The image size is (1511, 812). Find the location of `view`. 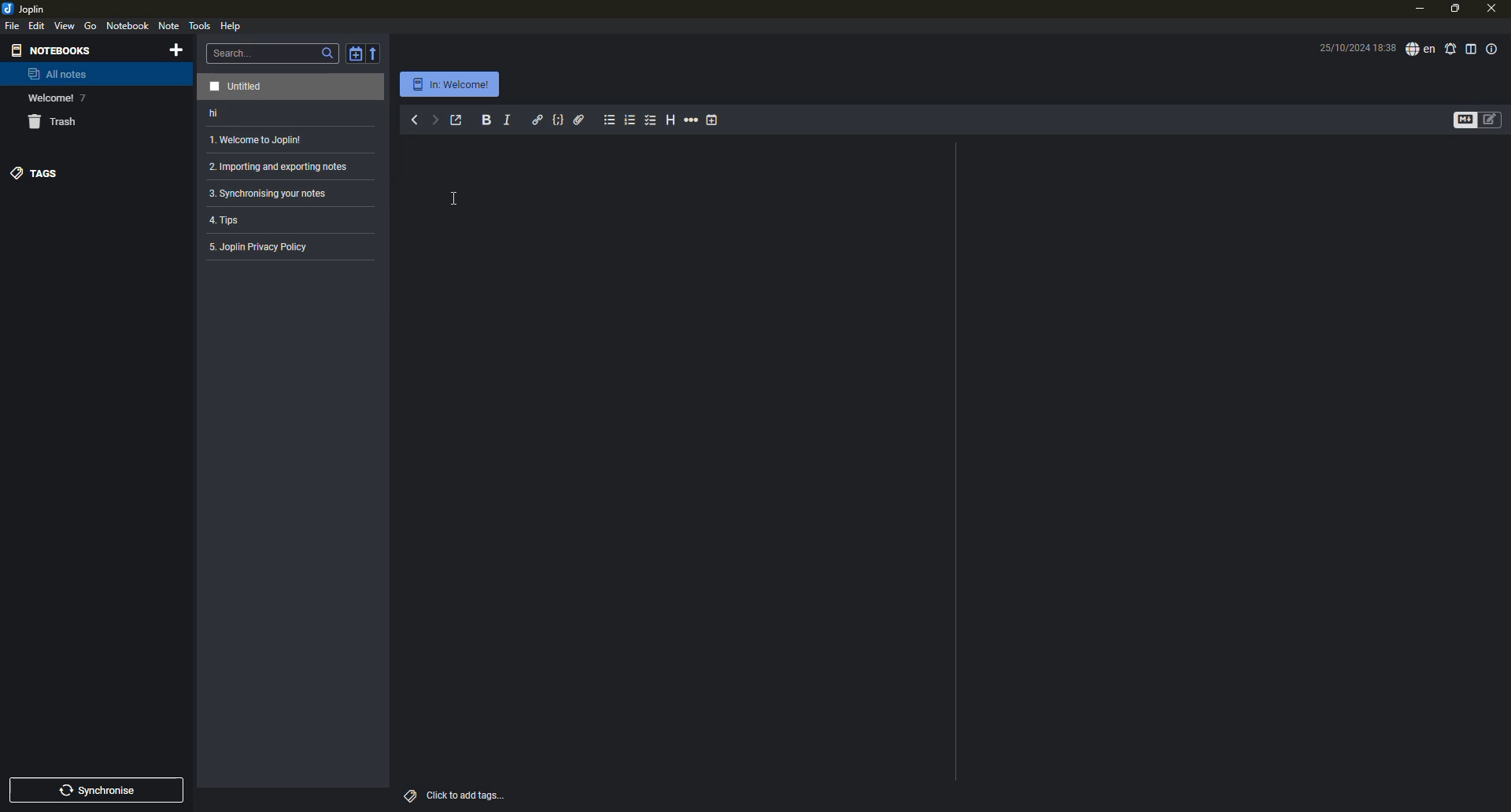

view is located at coordinates (65, 26).